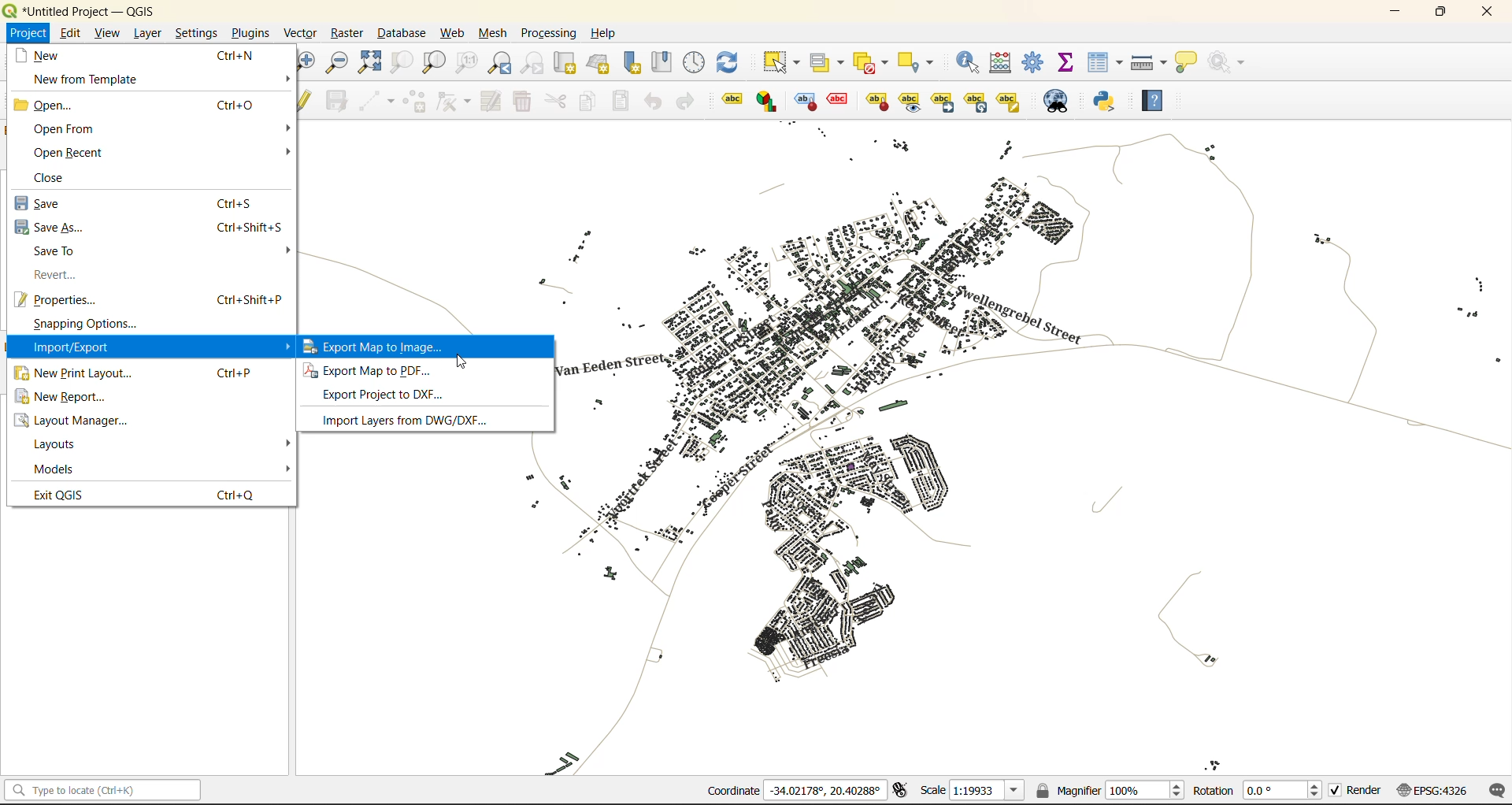 This screenshot has width=1512, height=805. What do you see at coordinates (1159, 100) in the screenshot?
I see `help` at bounding box center [1159, 100].